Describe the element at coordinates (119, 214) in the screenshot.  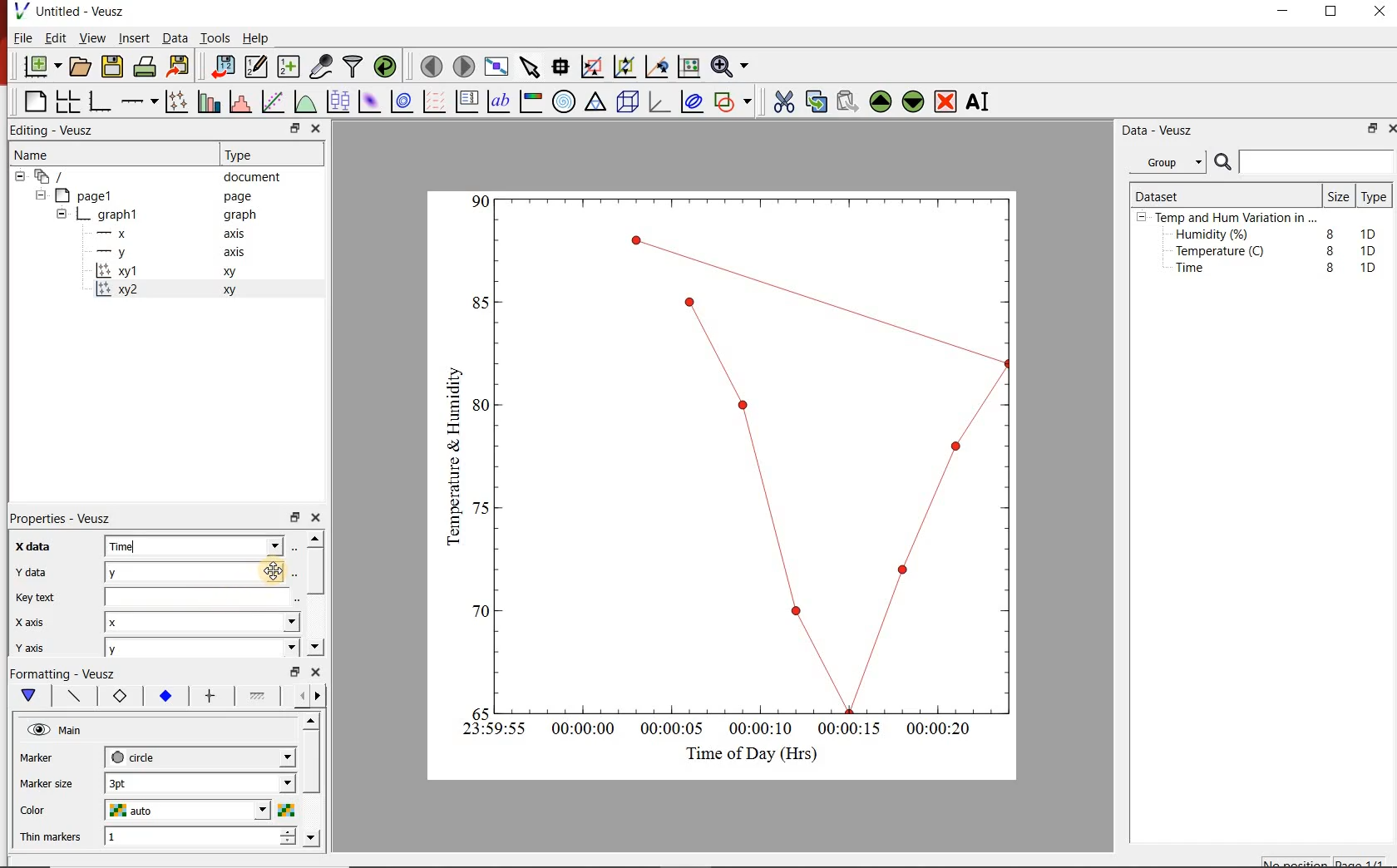
I see `graph` at that location.